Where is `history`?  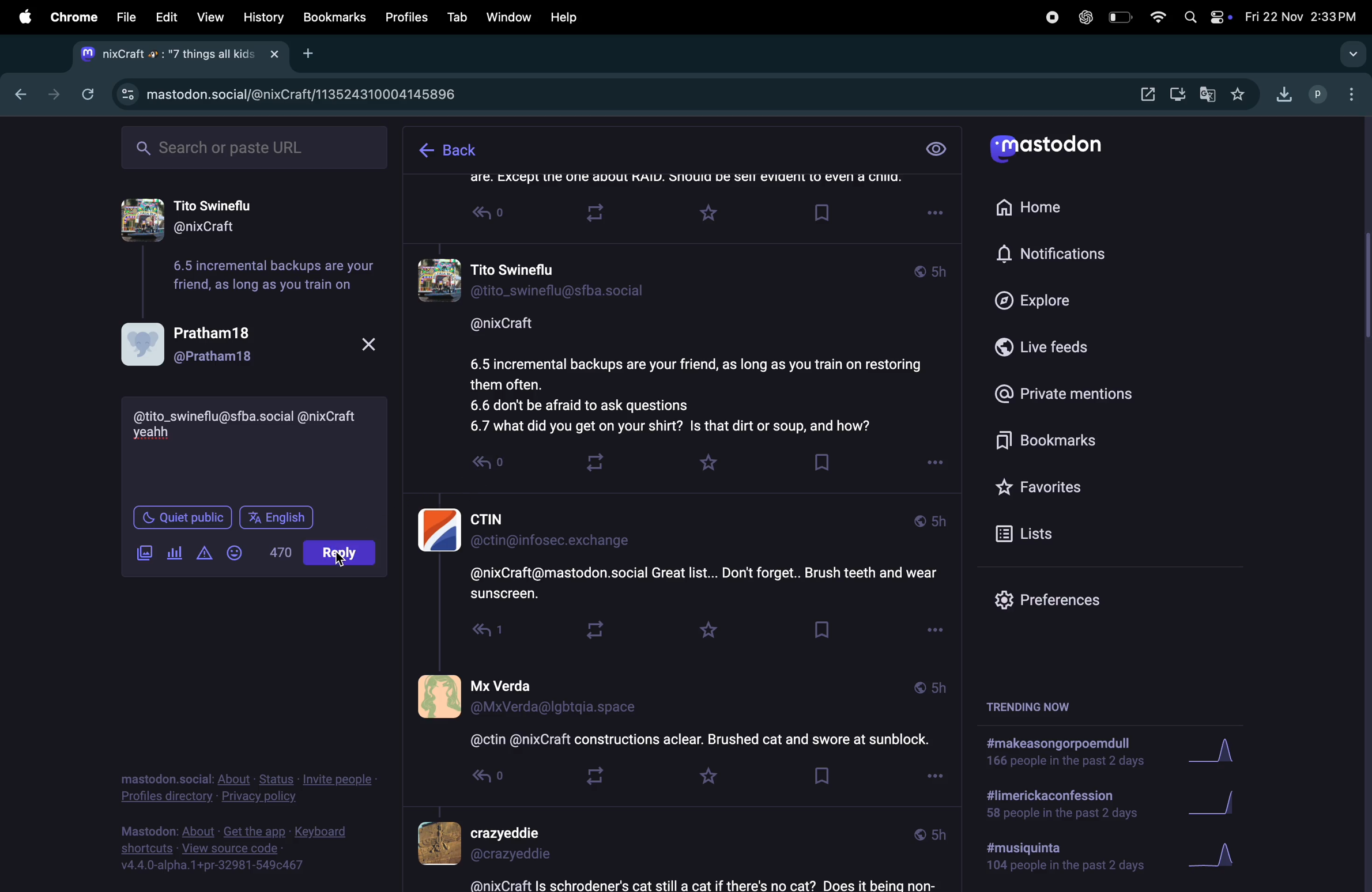
history is located at coordinates (265, 17).